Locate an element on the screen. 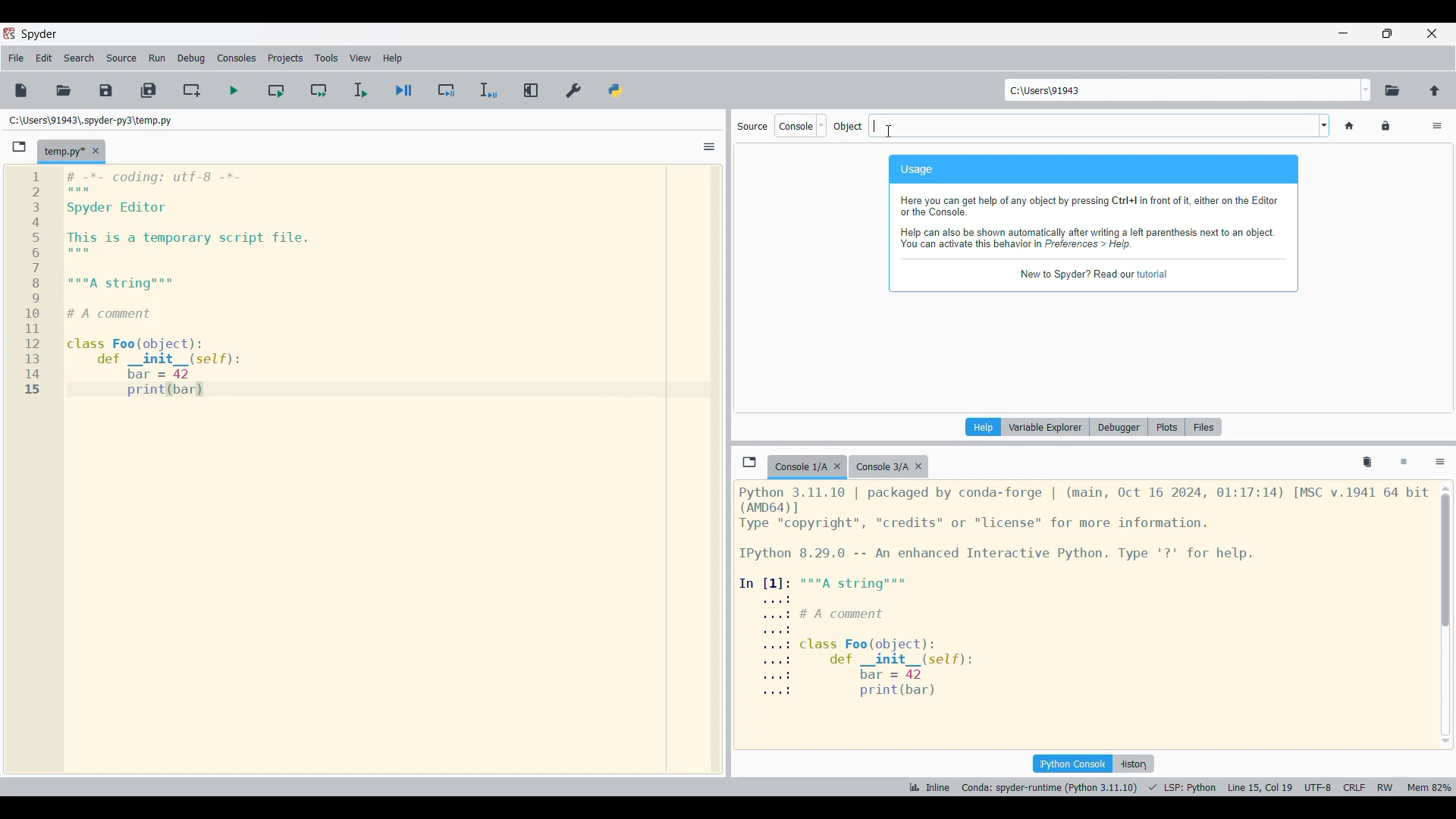 This screenshot has width=1456, height=819. Lock is located at coordinates (1385, 126).